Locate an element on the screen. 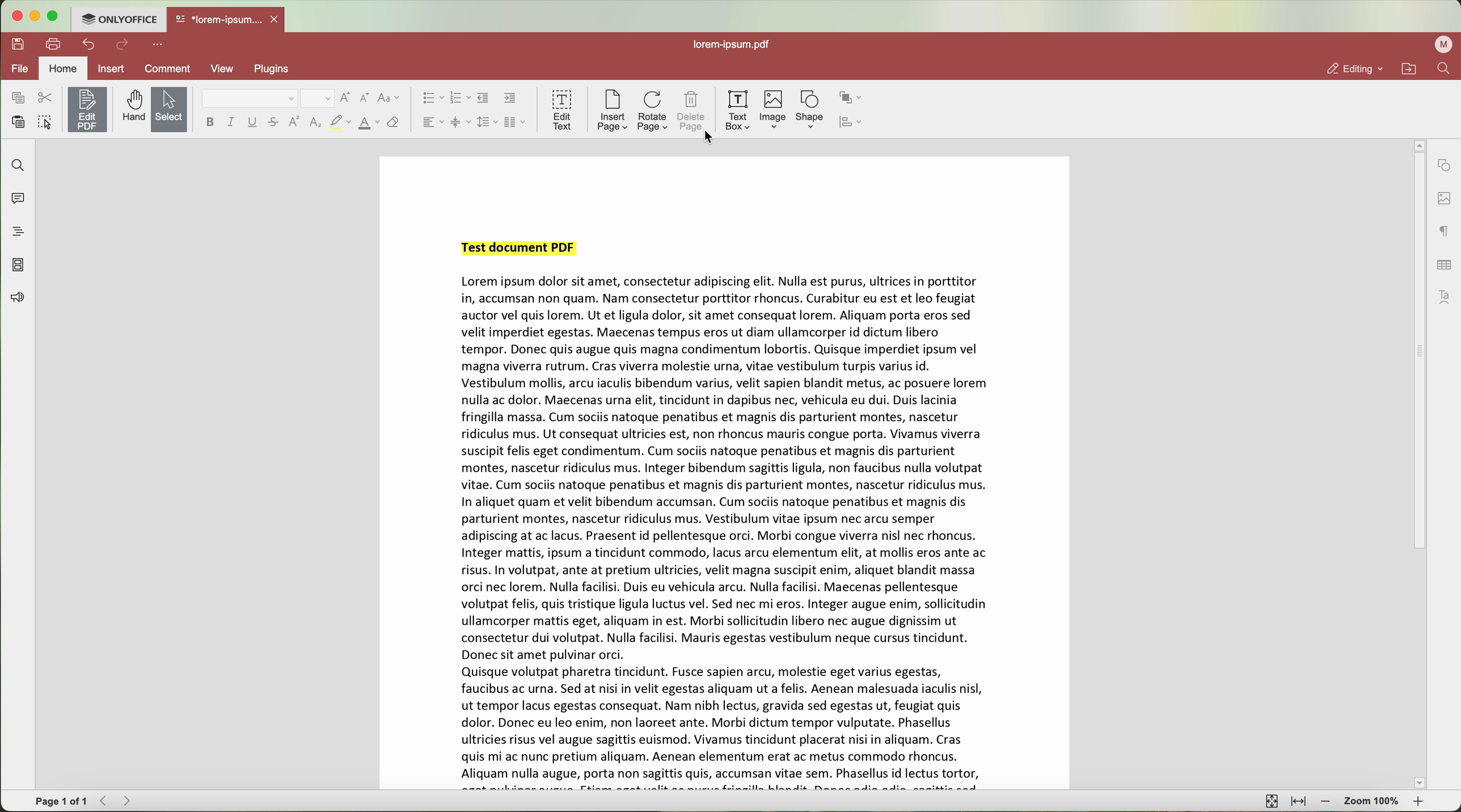 This screenshot has width=1461, height=812. cursor is located at coordinates (712, 138).